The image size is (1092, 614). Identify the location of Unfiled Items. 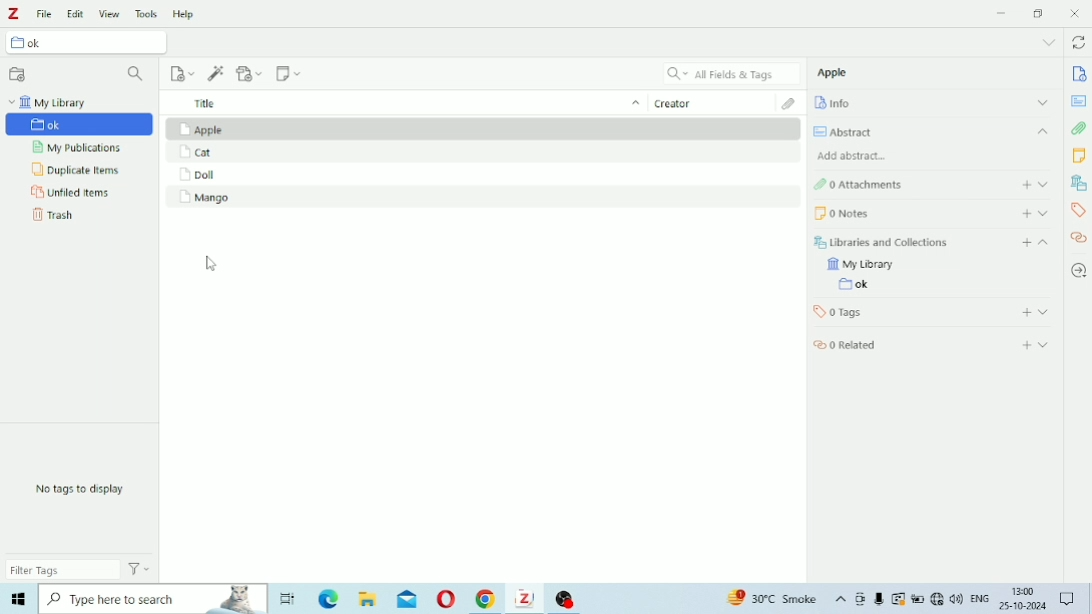
(70, 192).